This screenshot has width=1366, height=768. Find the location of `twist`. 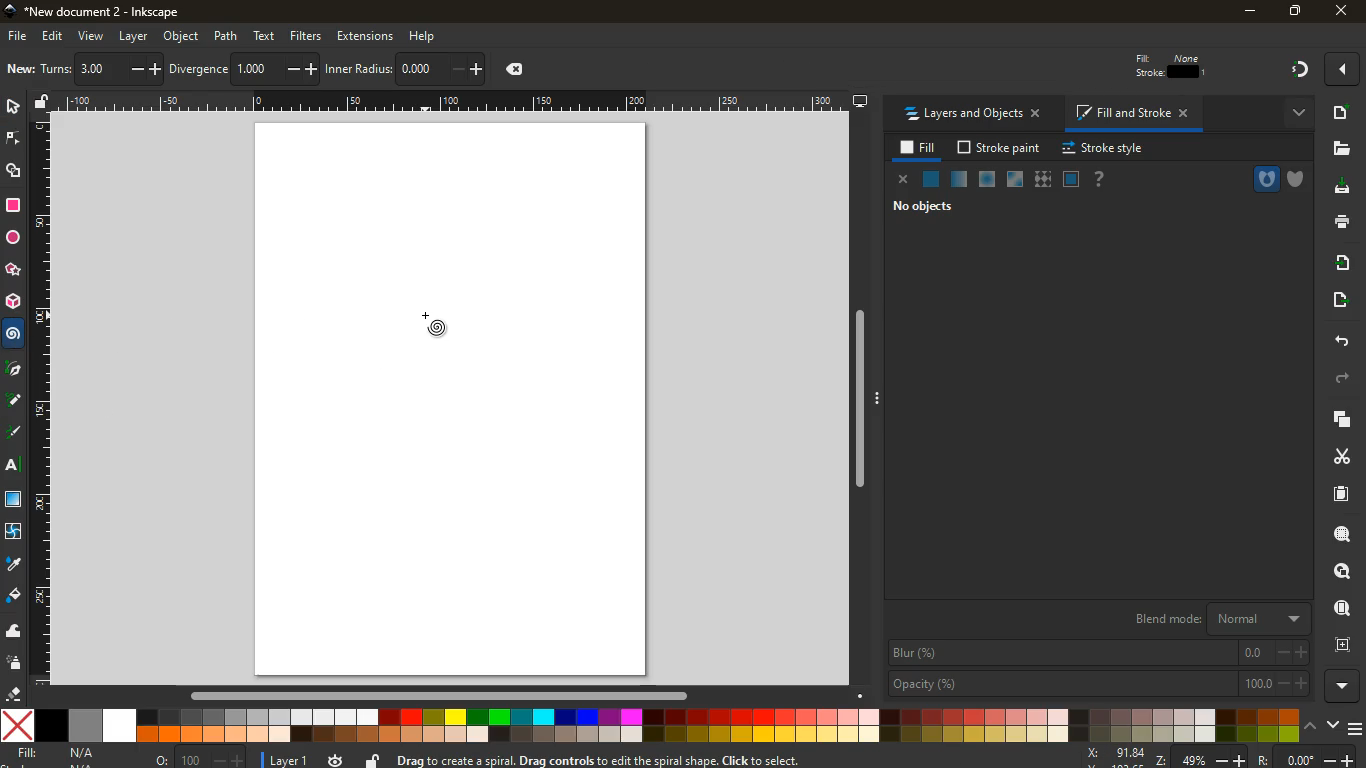

twist is located at coordinates (14, 532).